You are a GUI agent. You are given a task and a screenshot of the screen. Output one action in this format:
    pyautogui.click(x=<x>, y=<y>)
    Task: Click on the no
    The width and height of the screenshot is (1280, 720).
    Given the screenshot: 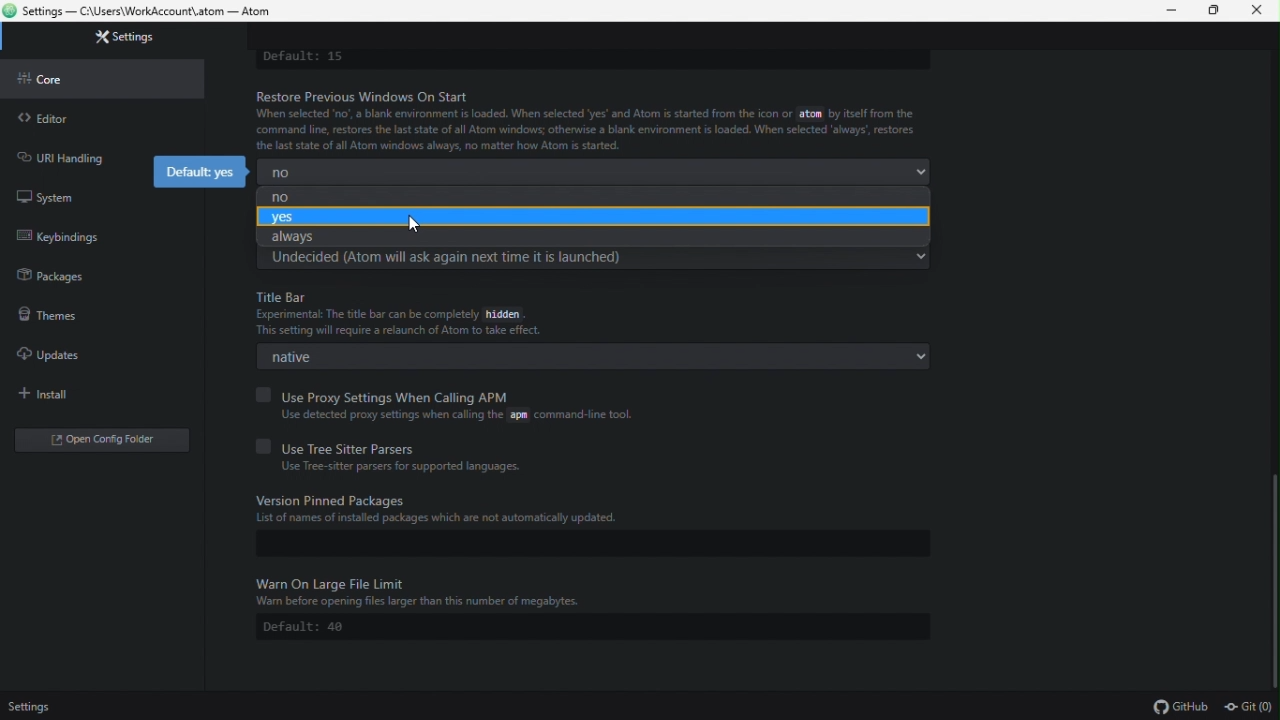 What is the action you would take?
    pyautogui.click(x=597, y=172)
    